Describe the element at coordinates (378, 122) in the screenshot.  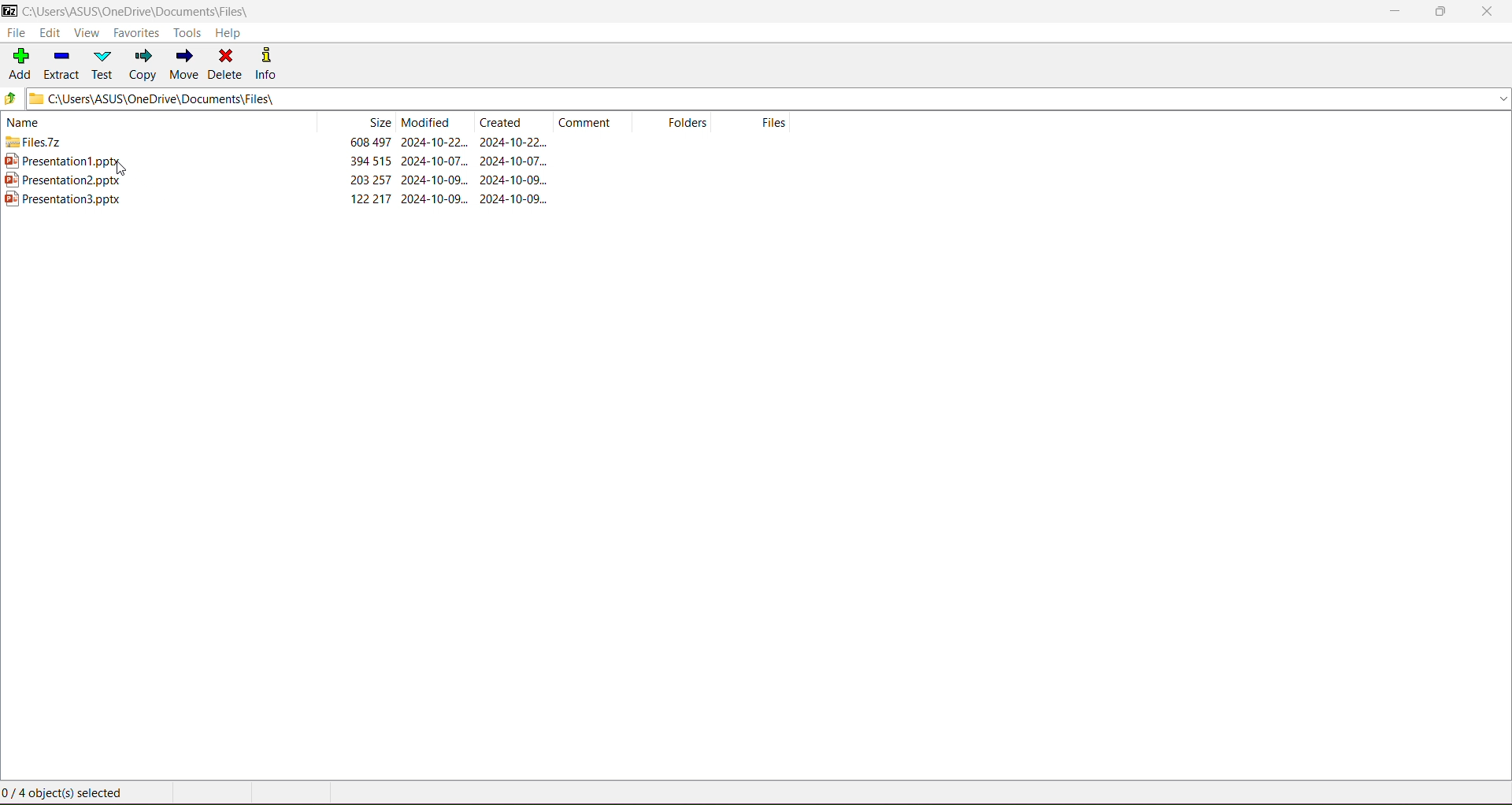
I see `size` at that location.